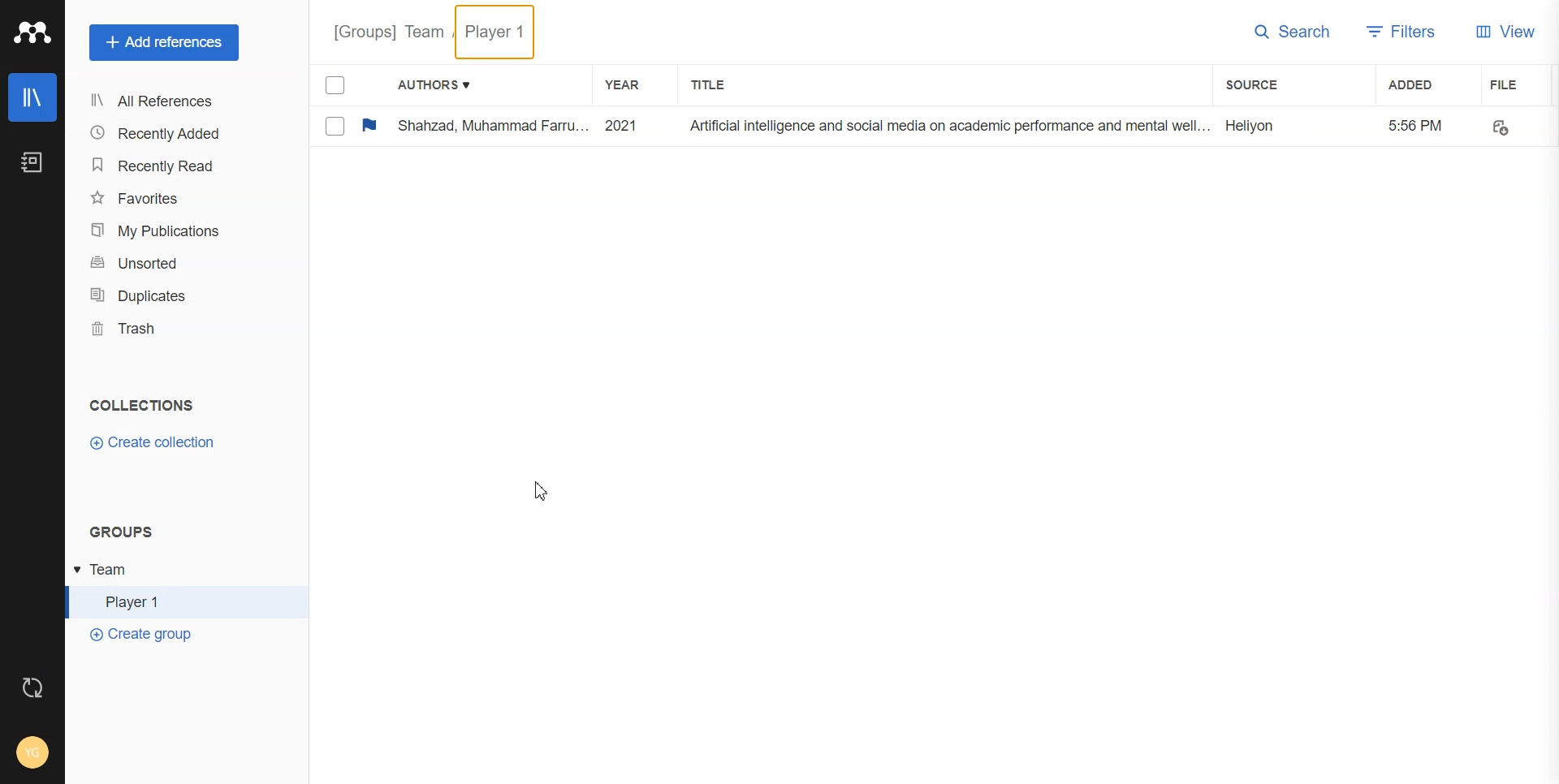 This screenshot has width=1559, height=784. What do you see at coordinates (164, 198) in the screenshot?
I see `Favorites` at bounding box center [164, 198].